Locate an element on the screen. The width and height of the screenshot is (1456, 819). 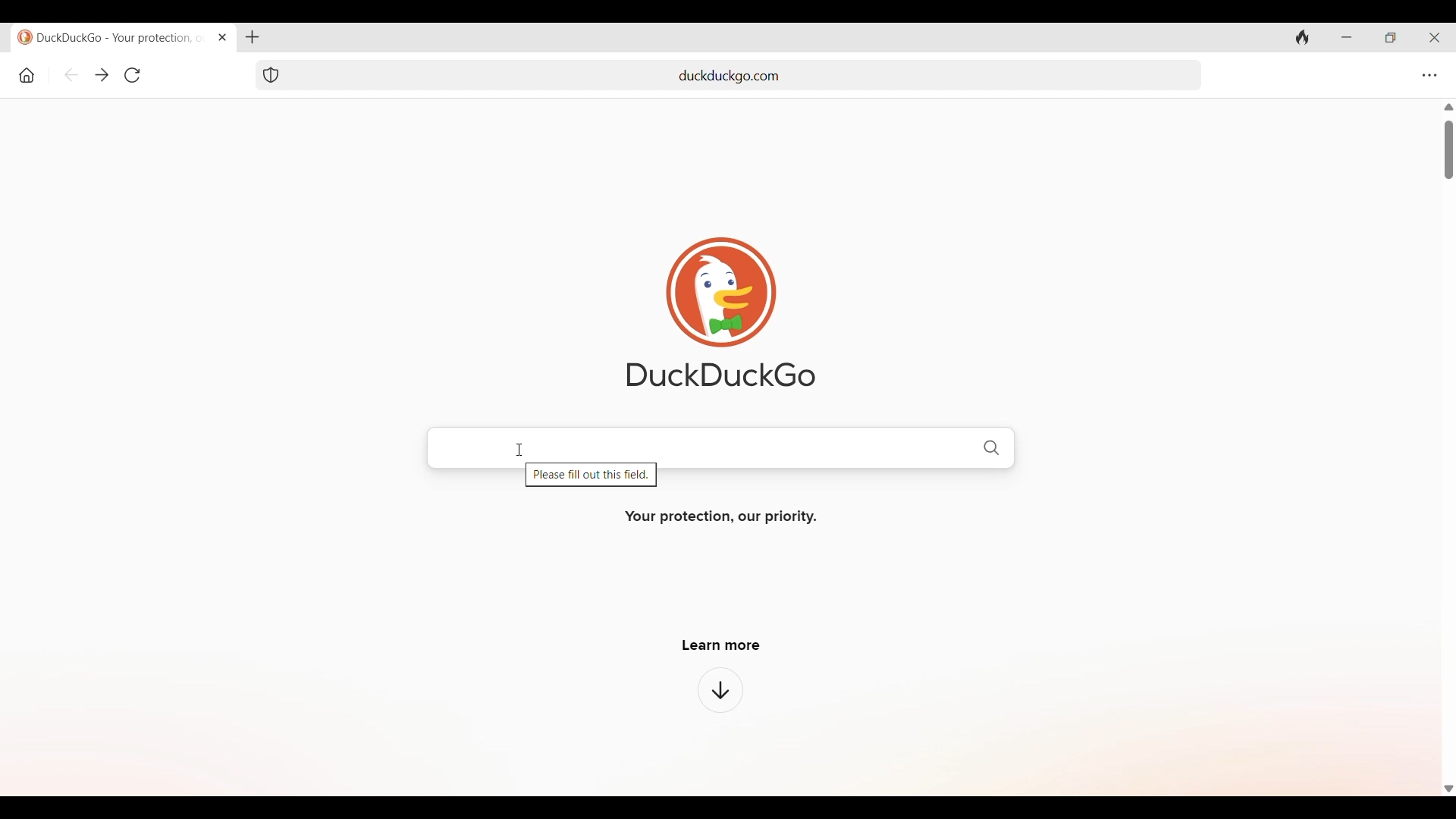
Learn more about browser is located at coordinates (720, 690).